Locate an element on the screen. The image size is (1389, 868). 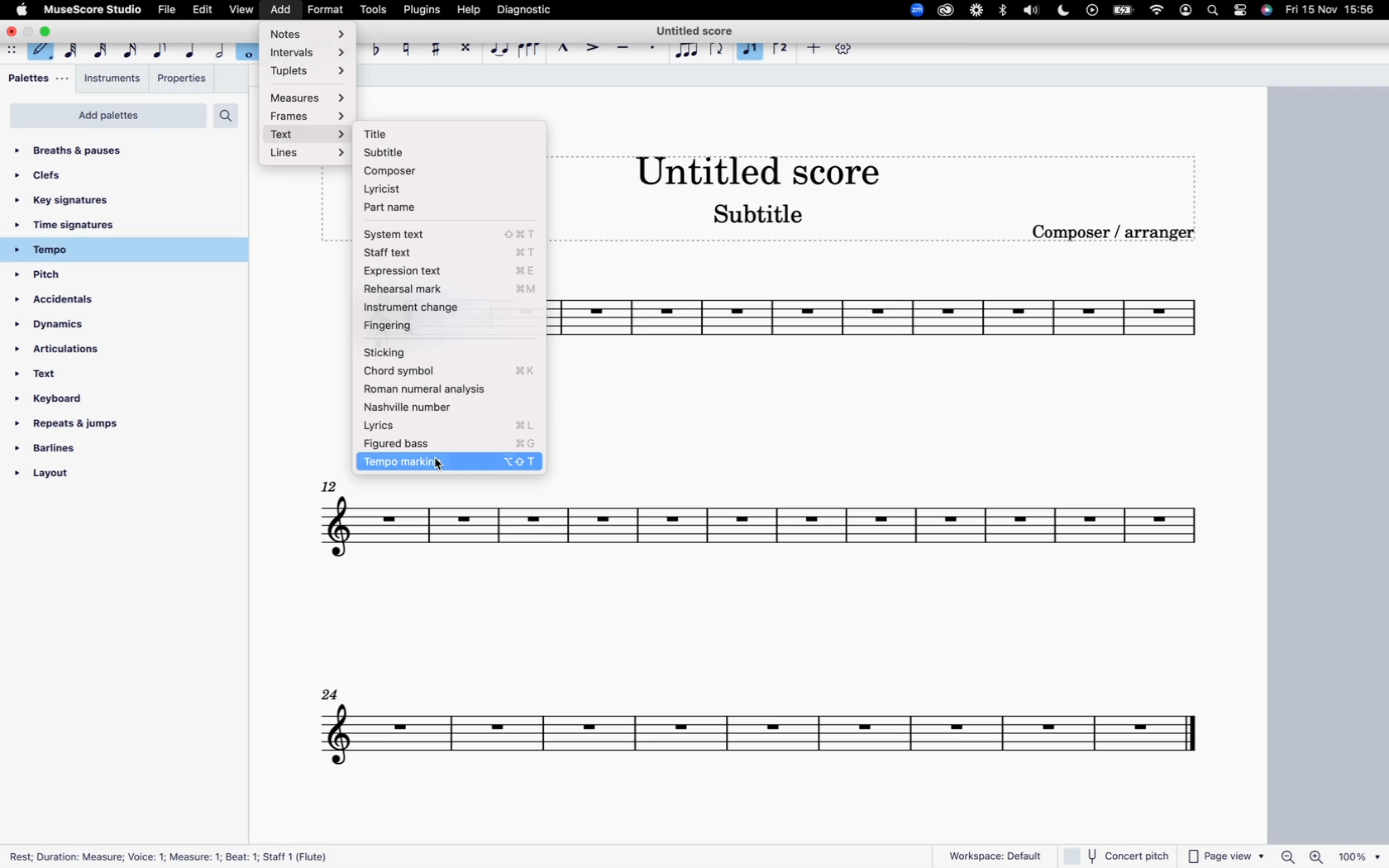
lyricist is located at coordinates (430, 188).